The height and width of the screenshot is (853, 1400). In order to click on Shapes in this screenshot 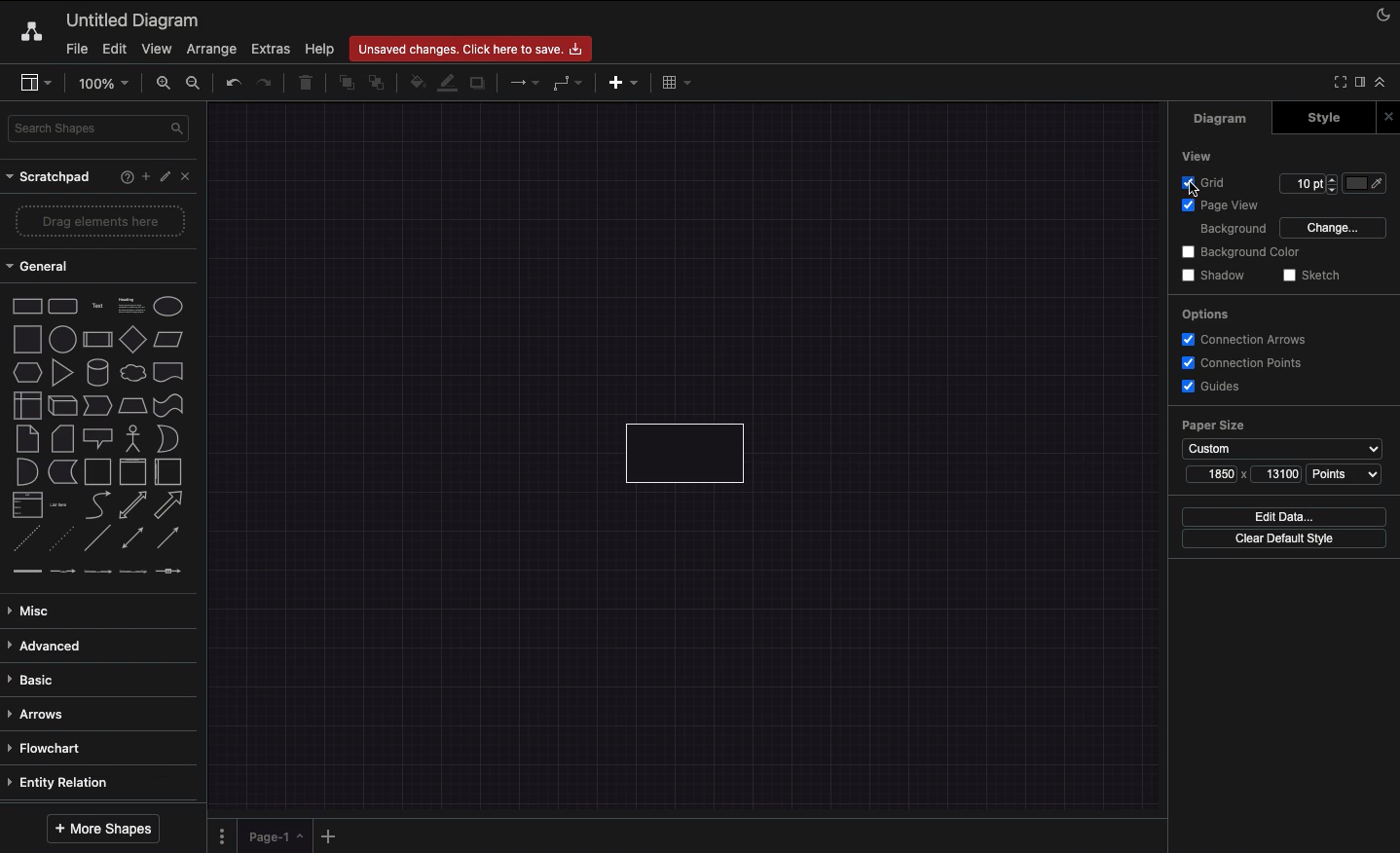, I will do `click(99, 442)`.